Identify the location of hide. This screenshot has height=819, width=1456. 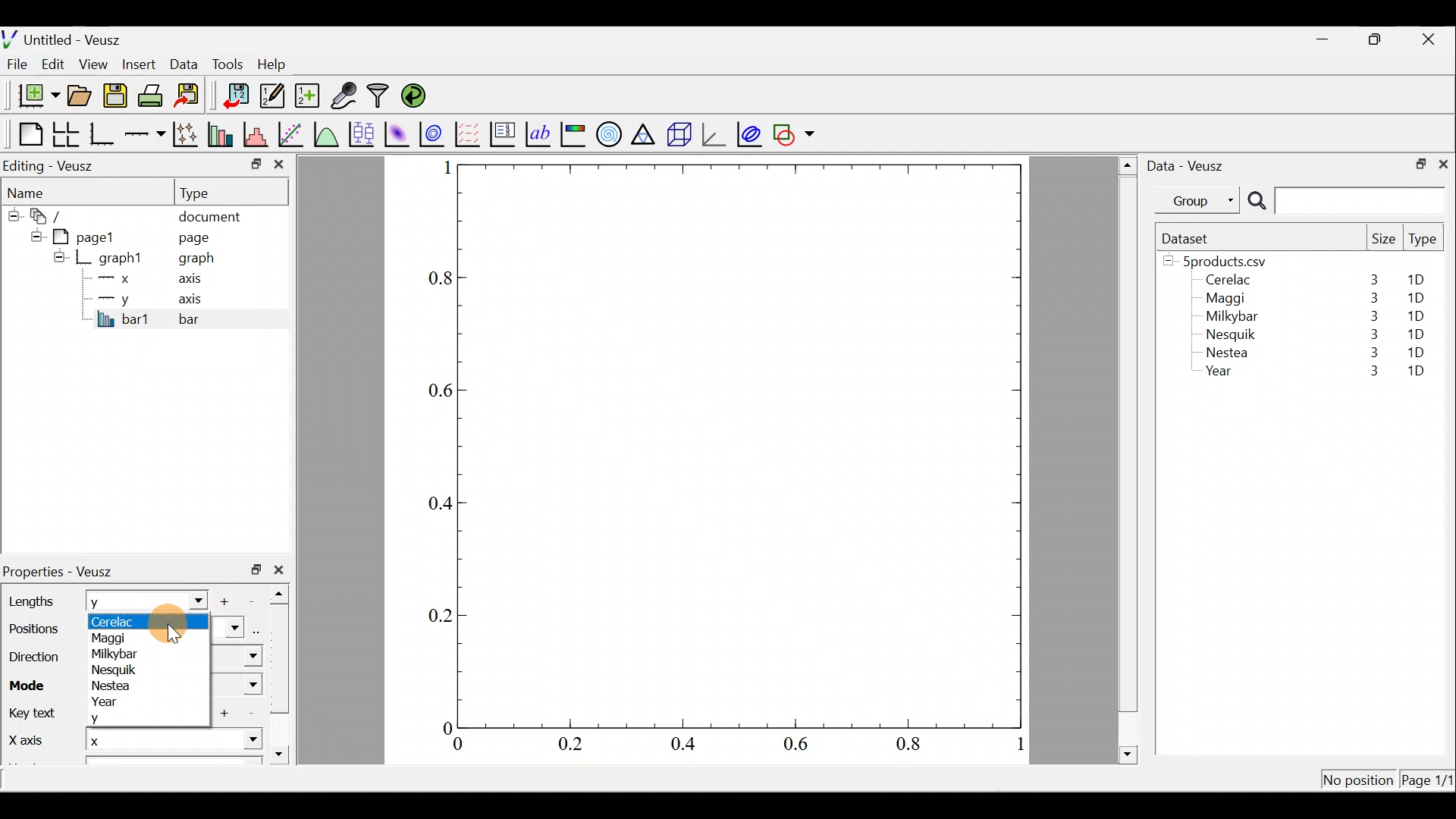
(33, 234).